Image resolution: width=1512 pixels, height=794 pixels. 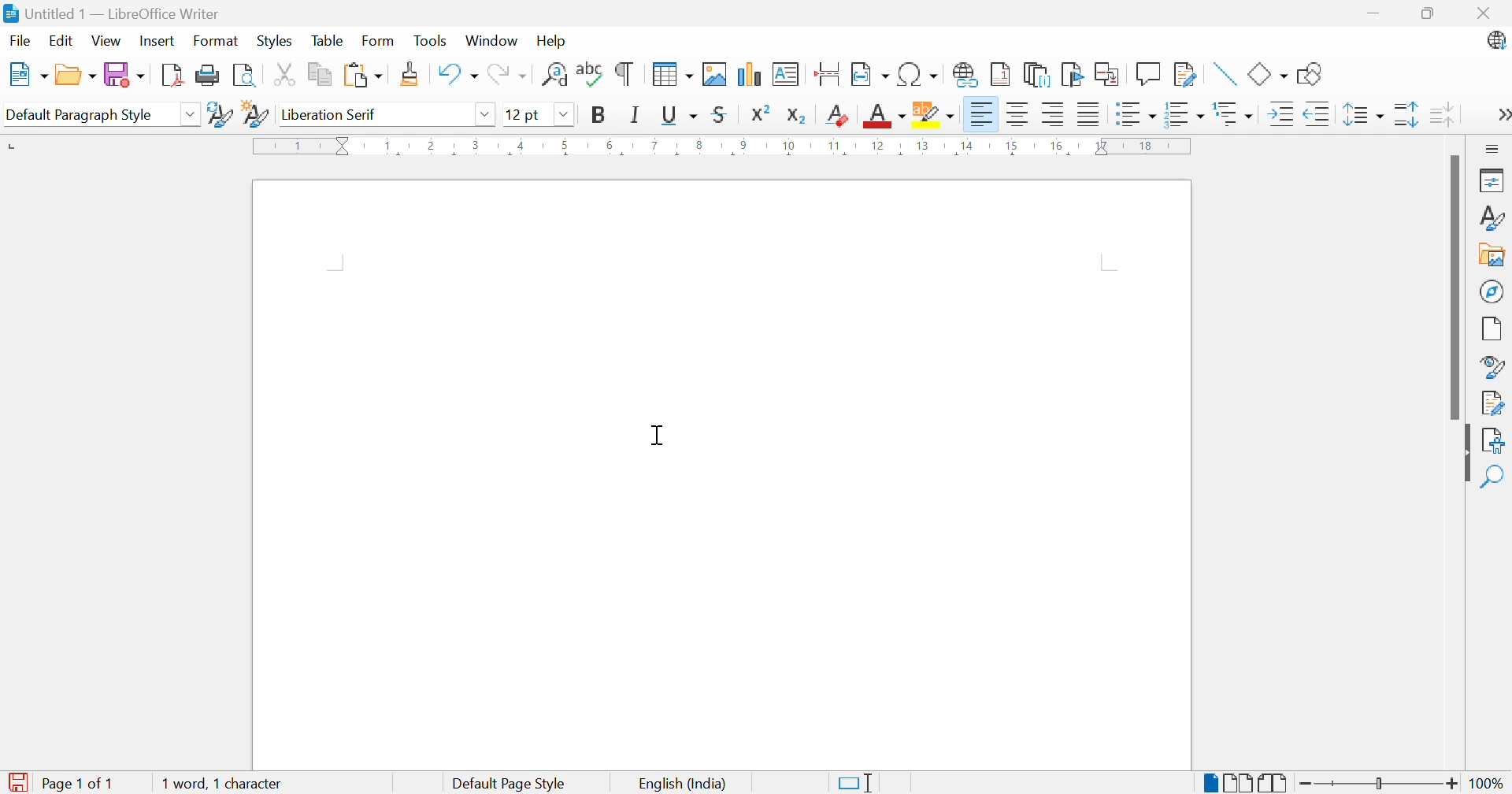 What do you see at coordinates (1135, 116) in the screenshot?
I see `Toggle unordered list` at bounding box center [1135, 116].